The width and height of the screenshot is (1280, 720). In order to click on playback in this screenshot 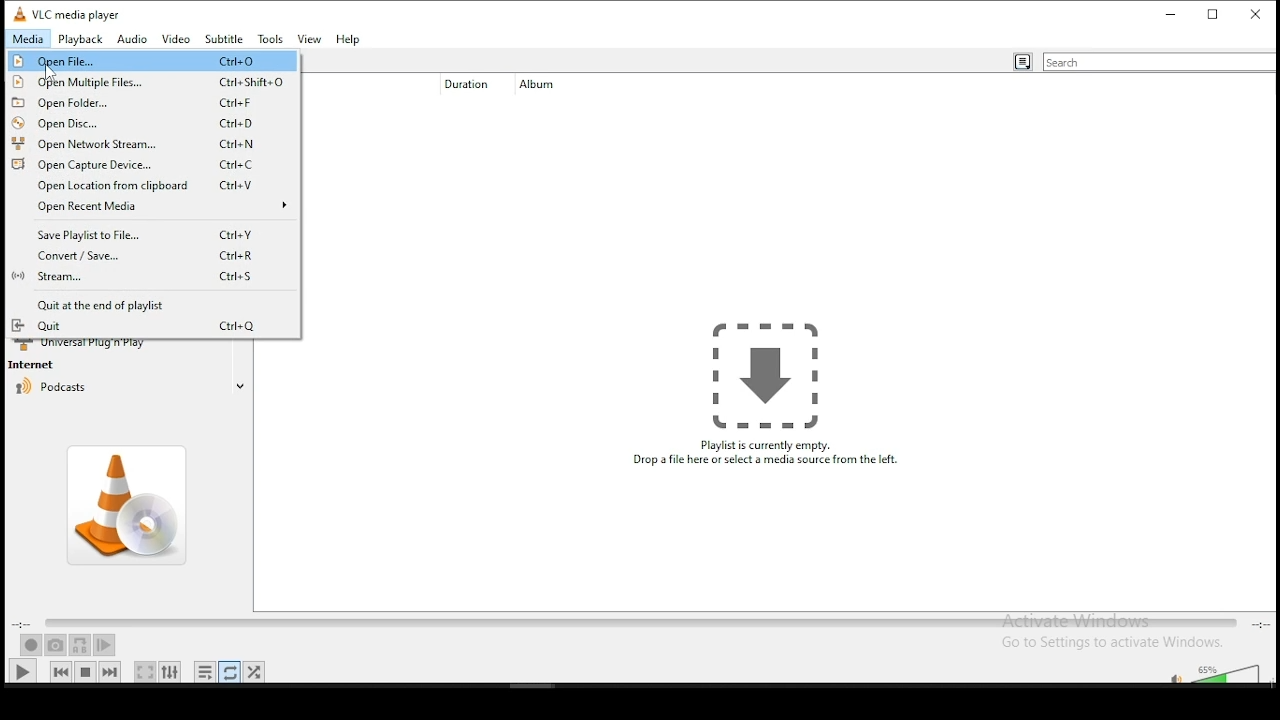, I will do `click(81, 40)`.